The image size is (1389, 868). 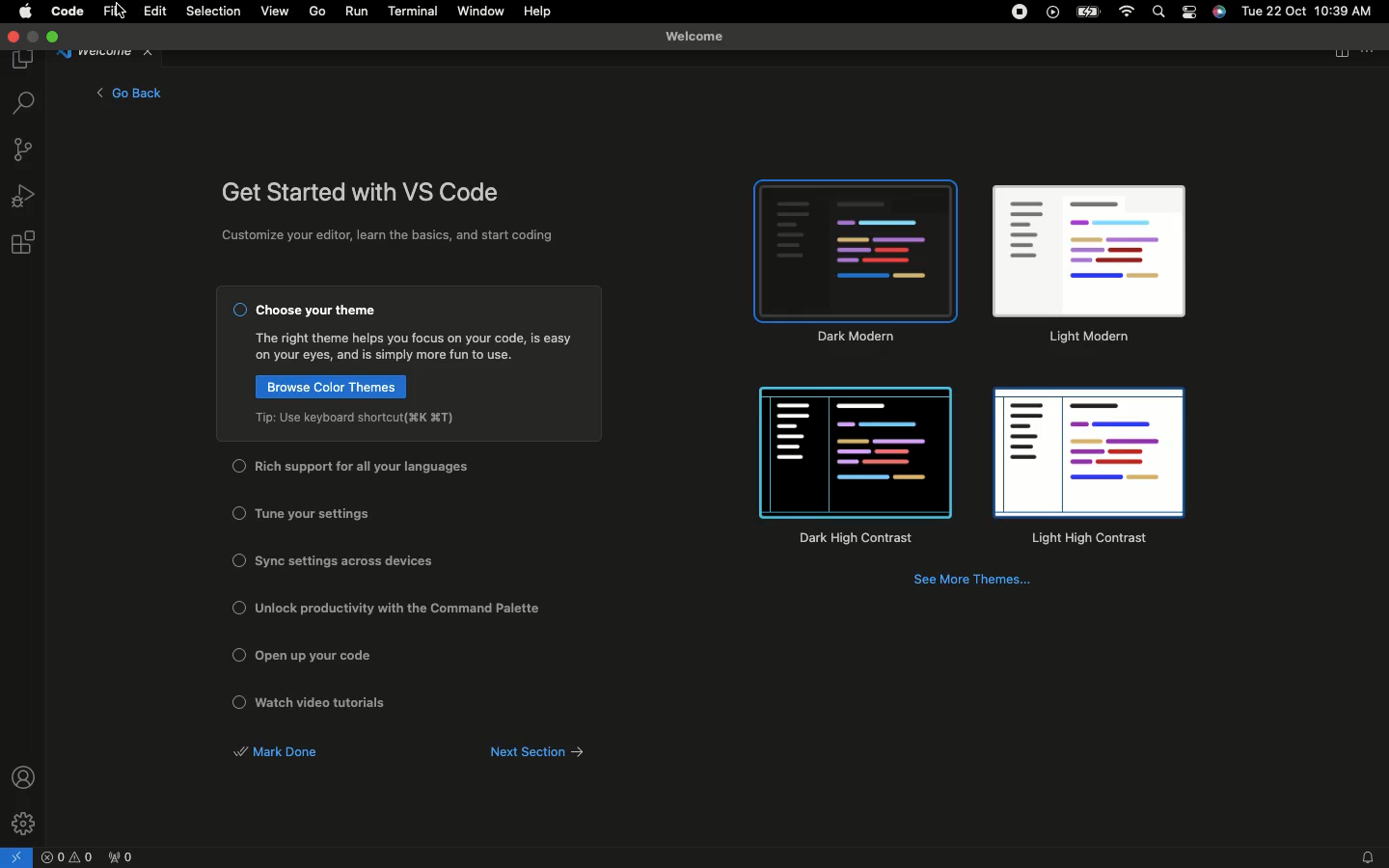 What do you see at coordinates (1365, 857) in the screenshot?
I see `Notifications` at bounding box center [1365, 857].